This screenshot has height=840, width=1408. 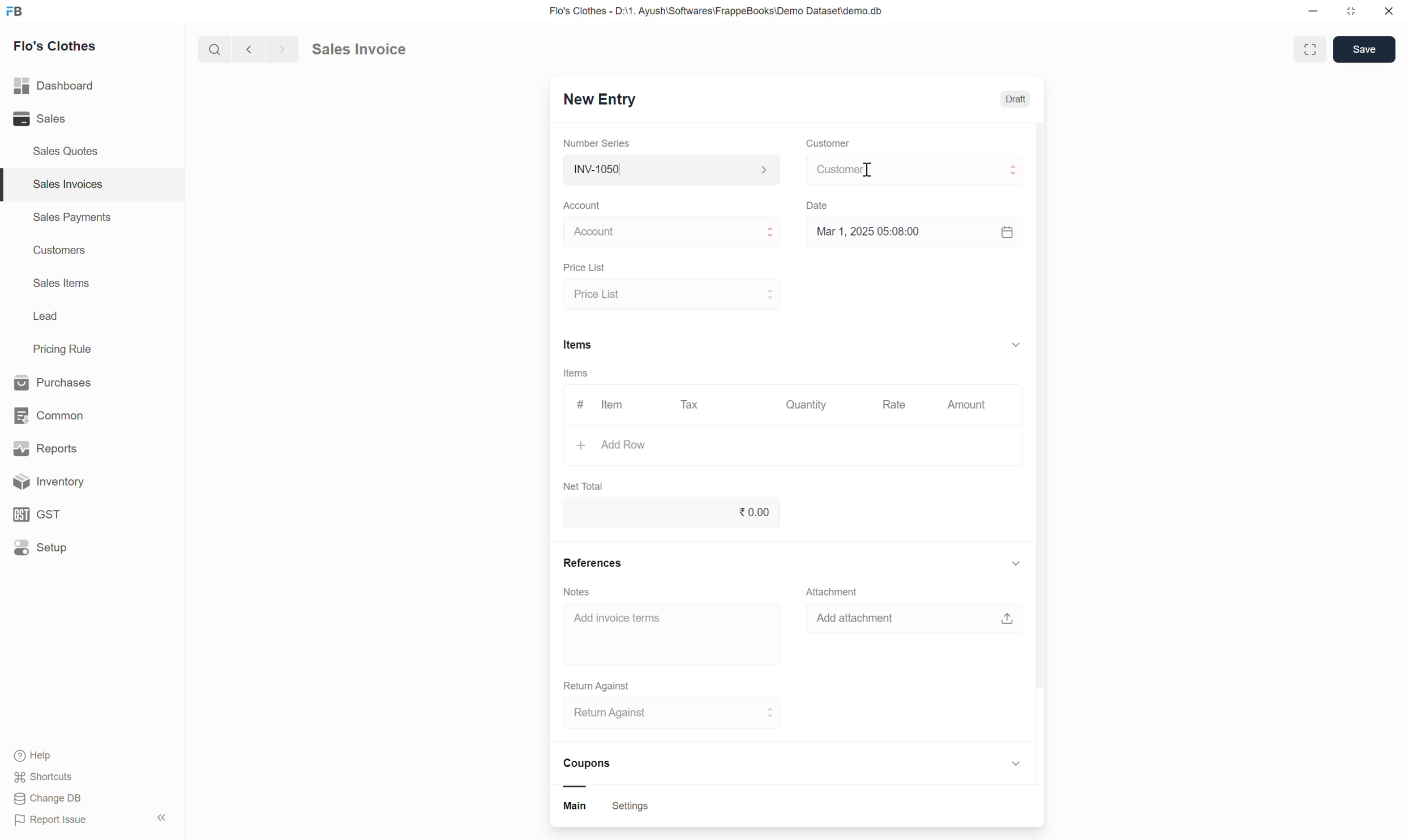 I want to click on search , so click(x=212, y=52).